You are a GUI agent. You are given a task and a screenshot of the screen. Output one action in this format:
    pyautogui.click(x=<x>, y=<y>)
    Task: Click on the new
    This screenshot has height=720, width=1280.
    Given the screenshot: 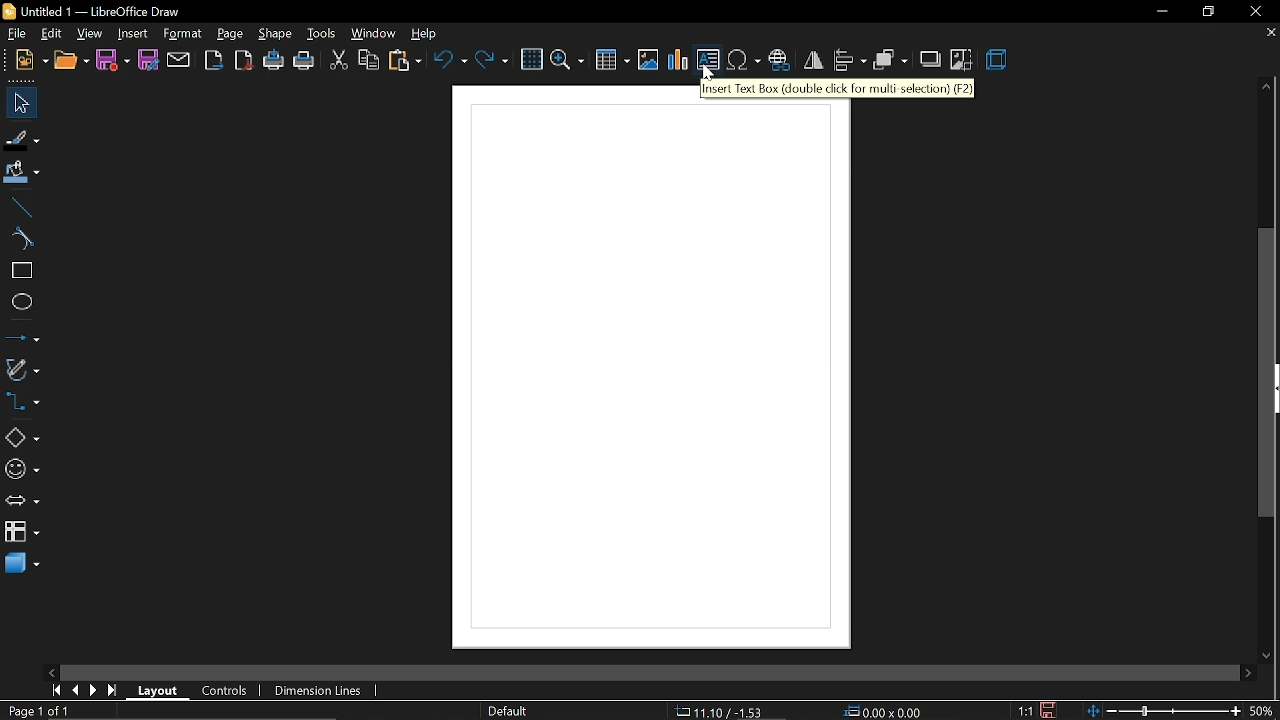 What is the action you would take?
    pyautogui.click(x=31, y=62)
    